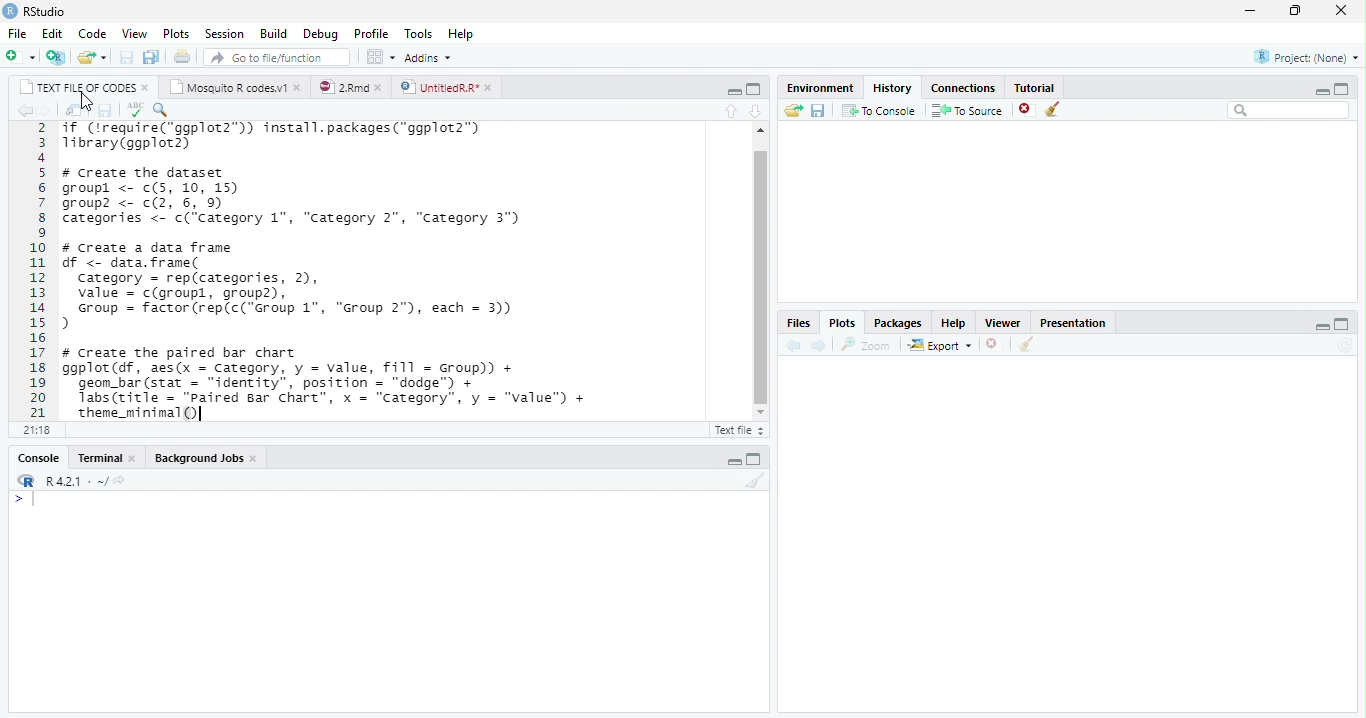  What do you see at coordinates (1003, 322) in the screenshot?
I see `viewer` at bounding box center [1003, 322].